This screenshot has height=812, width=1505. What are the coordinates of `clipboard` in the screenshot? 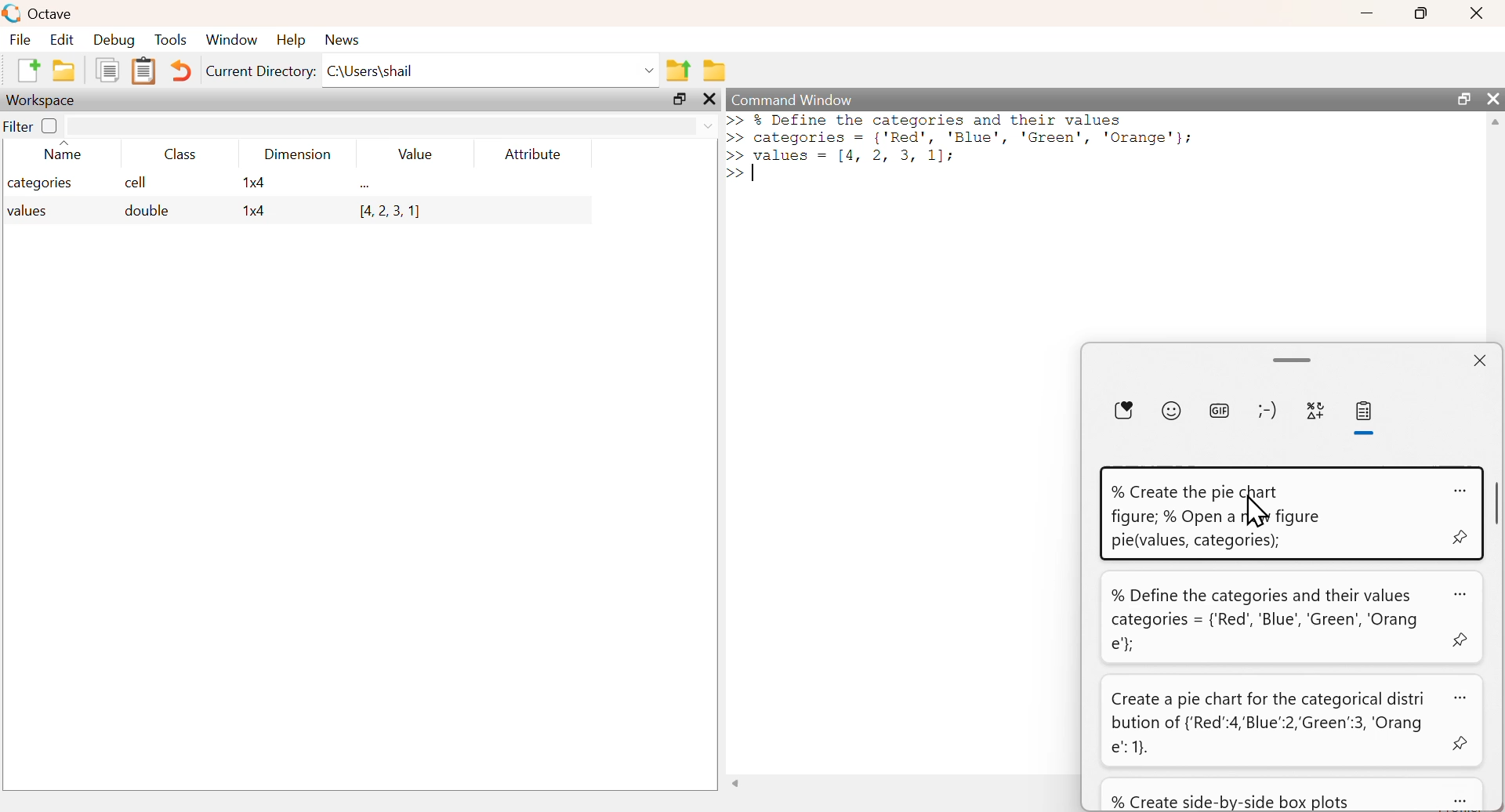 It's located at (1368, 411).